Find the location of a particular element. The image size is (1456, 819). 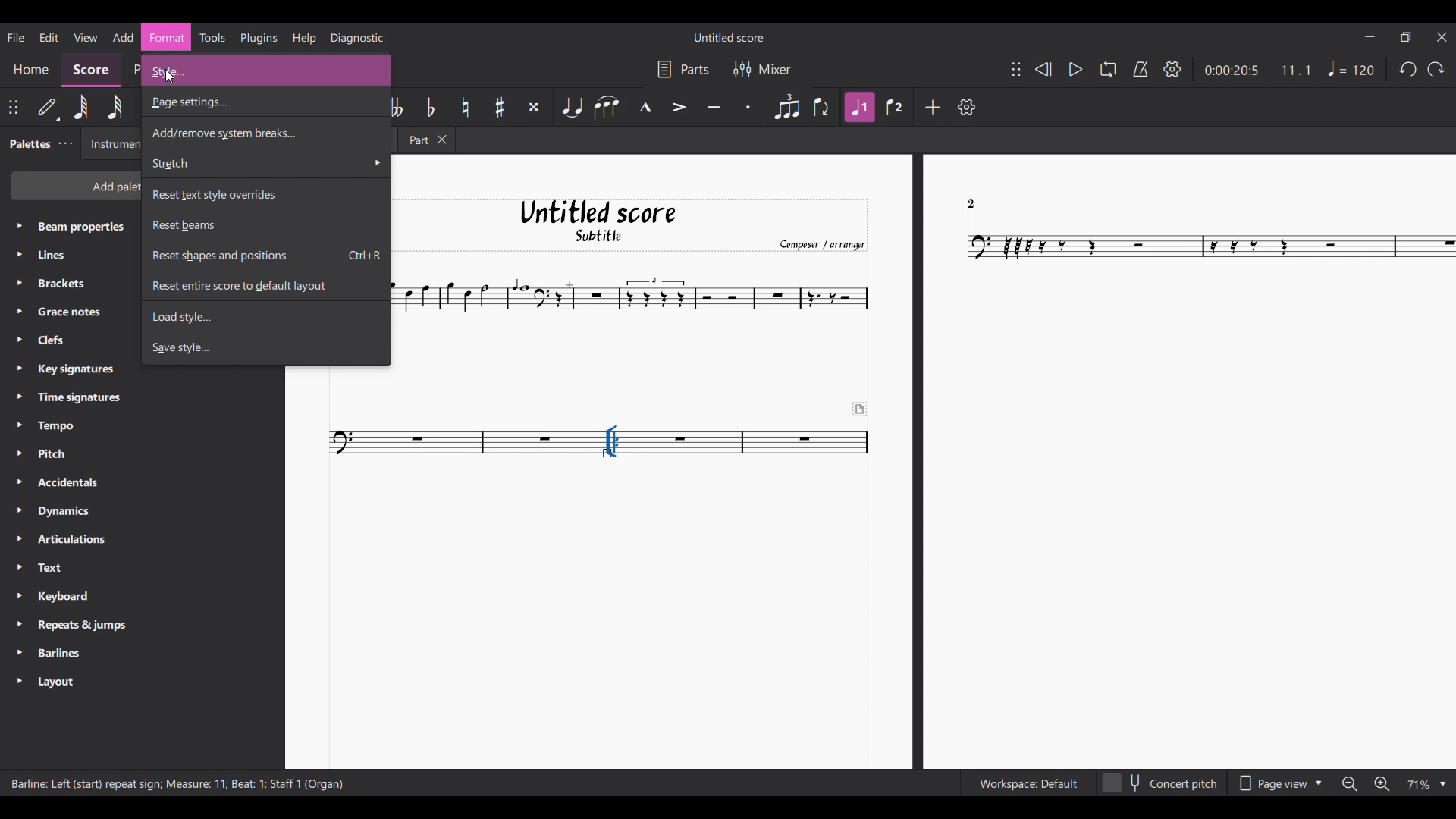

Settings is located at coordinates (967, 106).